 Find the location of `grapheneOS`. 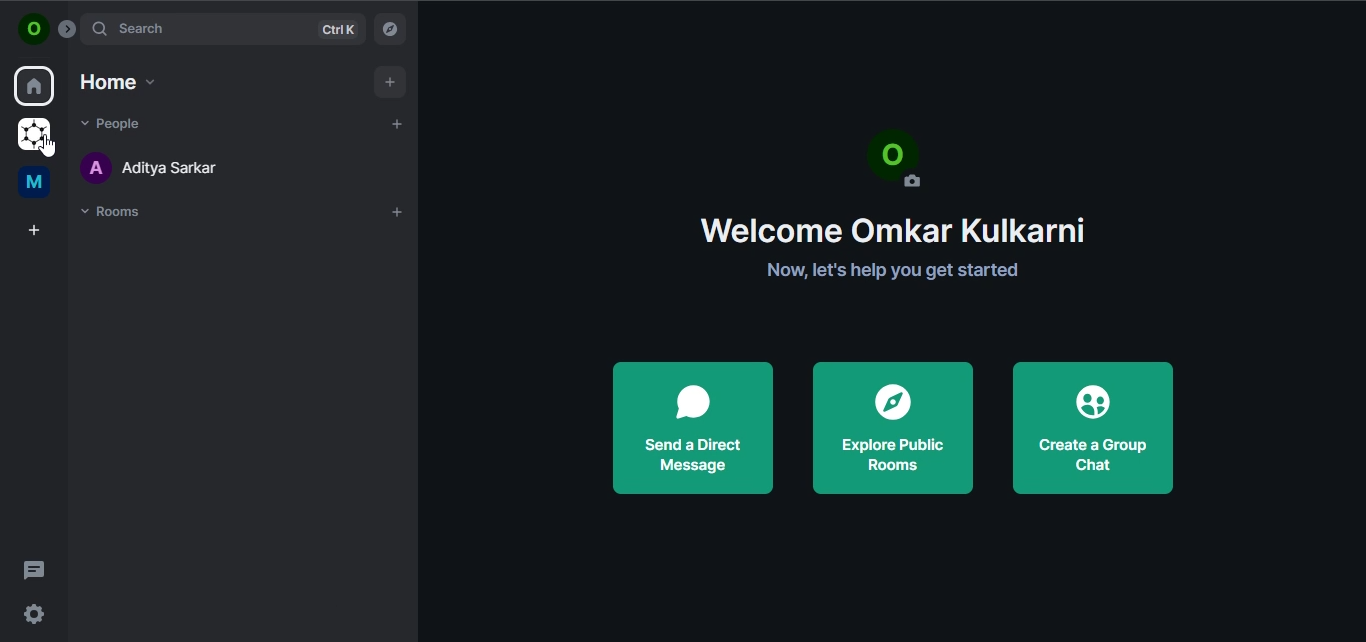

grapheneOS is located at coordinates (37, 136).